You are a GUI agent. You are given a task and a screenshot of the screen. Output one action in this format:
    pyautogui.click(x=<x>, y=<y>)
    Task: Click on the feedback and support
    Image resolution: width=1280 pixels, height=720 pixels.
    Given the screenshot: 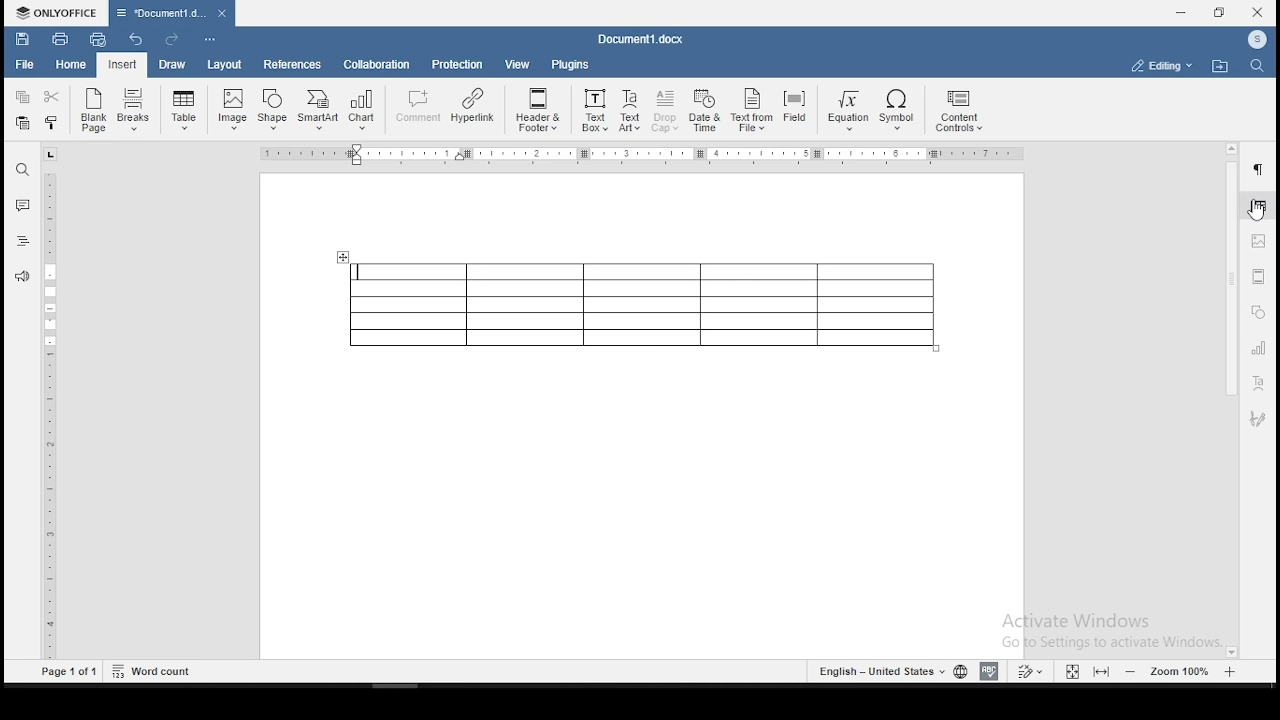 What is the action you would take?
    pyautogui.click(x=23, y=275)
    